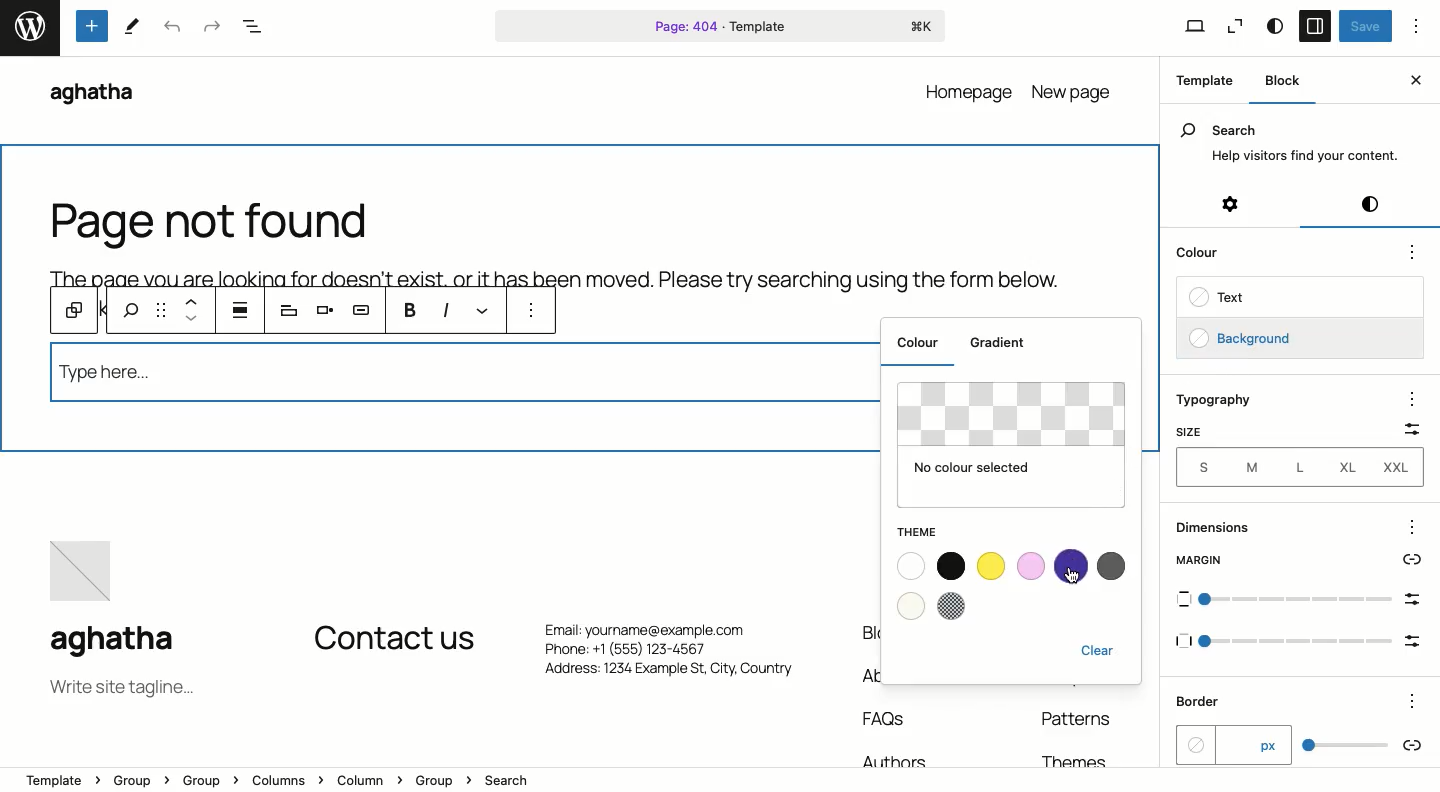 This screenshot has width=1440, height=792. Describe the element at coordinates (665, 650) in the screenshot. I see `Phone: +1 (555) 123-4567` at that location.